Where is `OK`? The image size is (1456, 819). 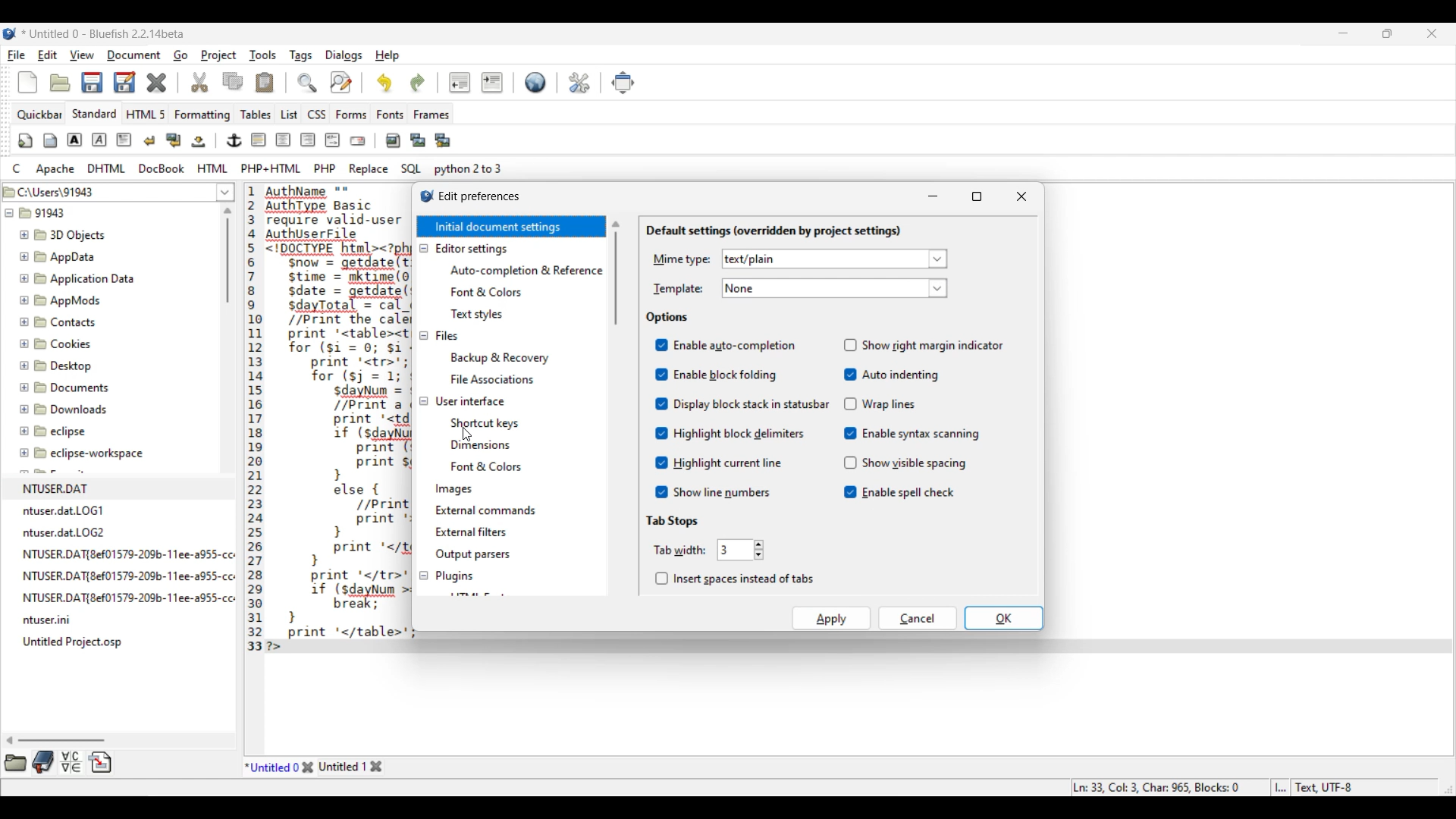 OK is located at coordinates (1003, 618).